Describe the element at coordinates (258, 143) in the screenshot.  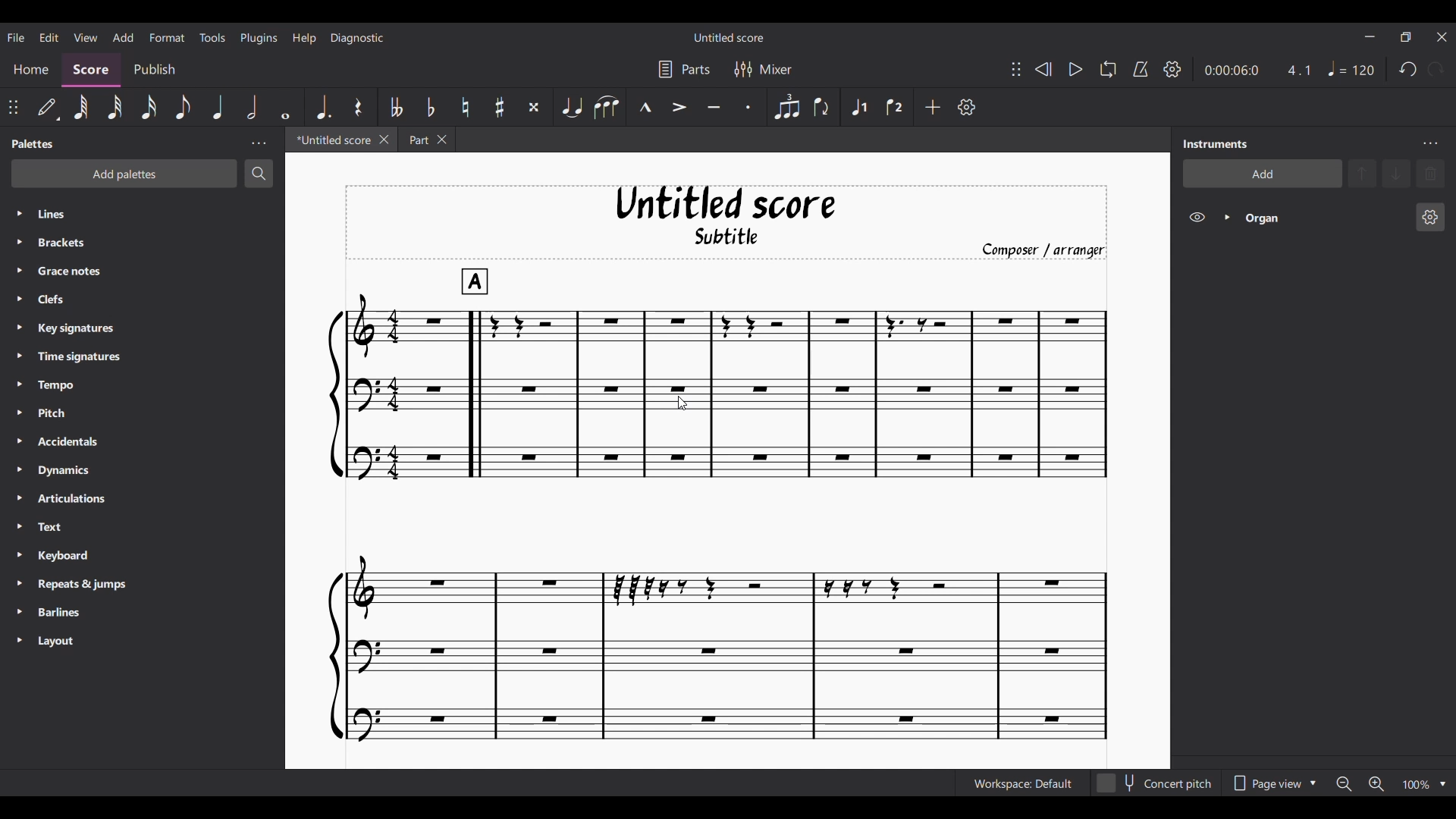
I see `Palette settings` at that location.